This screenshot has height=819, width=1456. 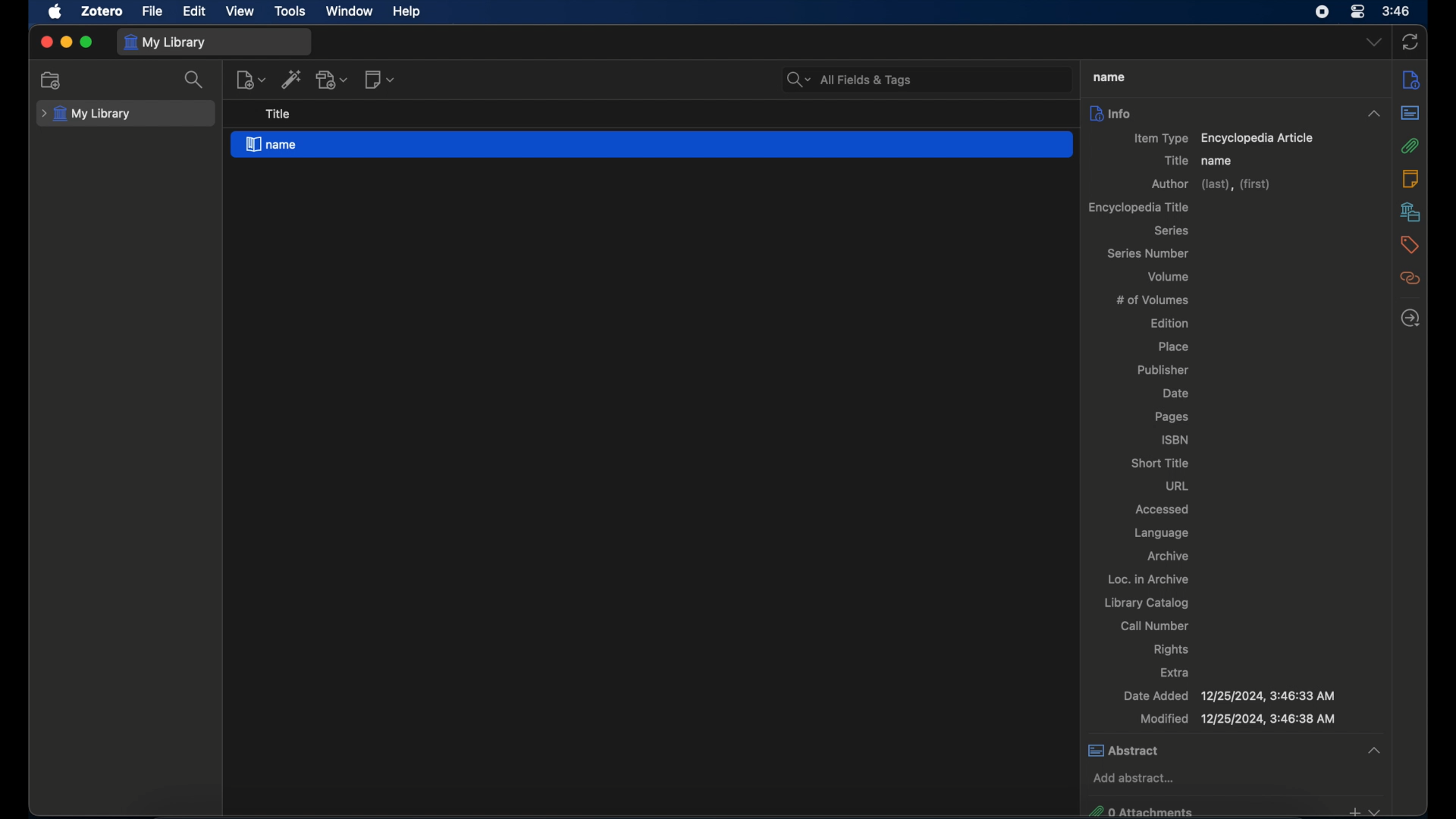 What do you see at coordinates (290, 11) in the screenshot?
I see `tools` at bounding box center [290, 11].